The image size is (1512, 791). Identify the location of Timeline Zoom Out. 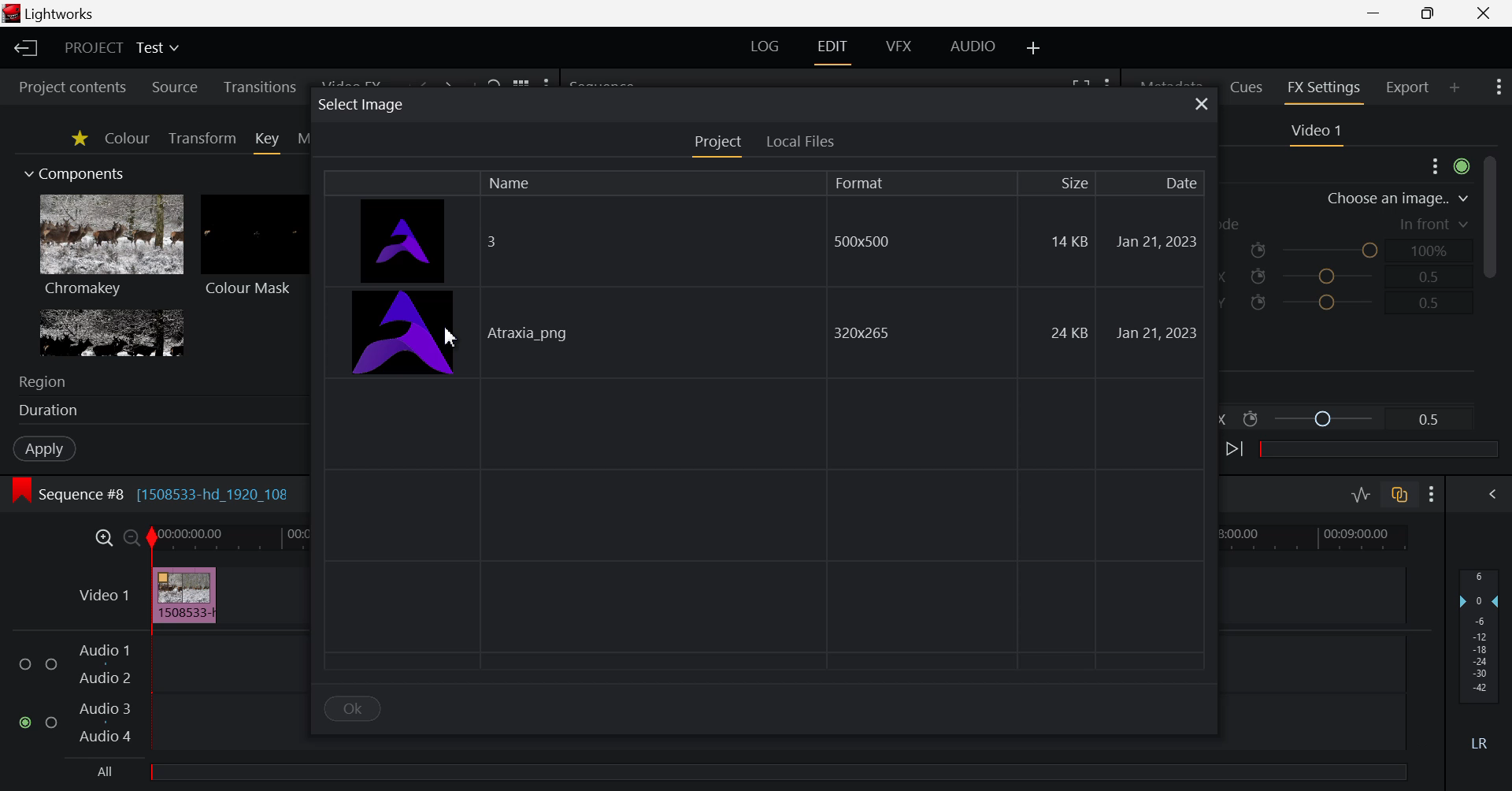
(128, 538).